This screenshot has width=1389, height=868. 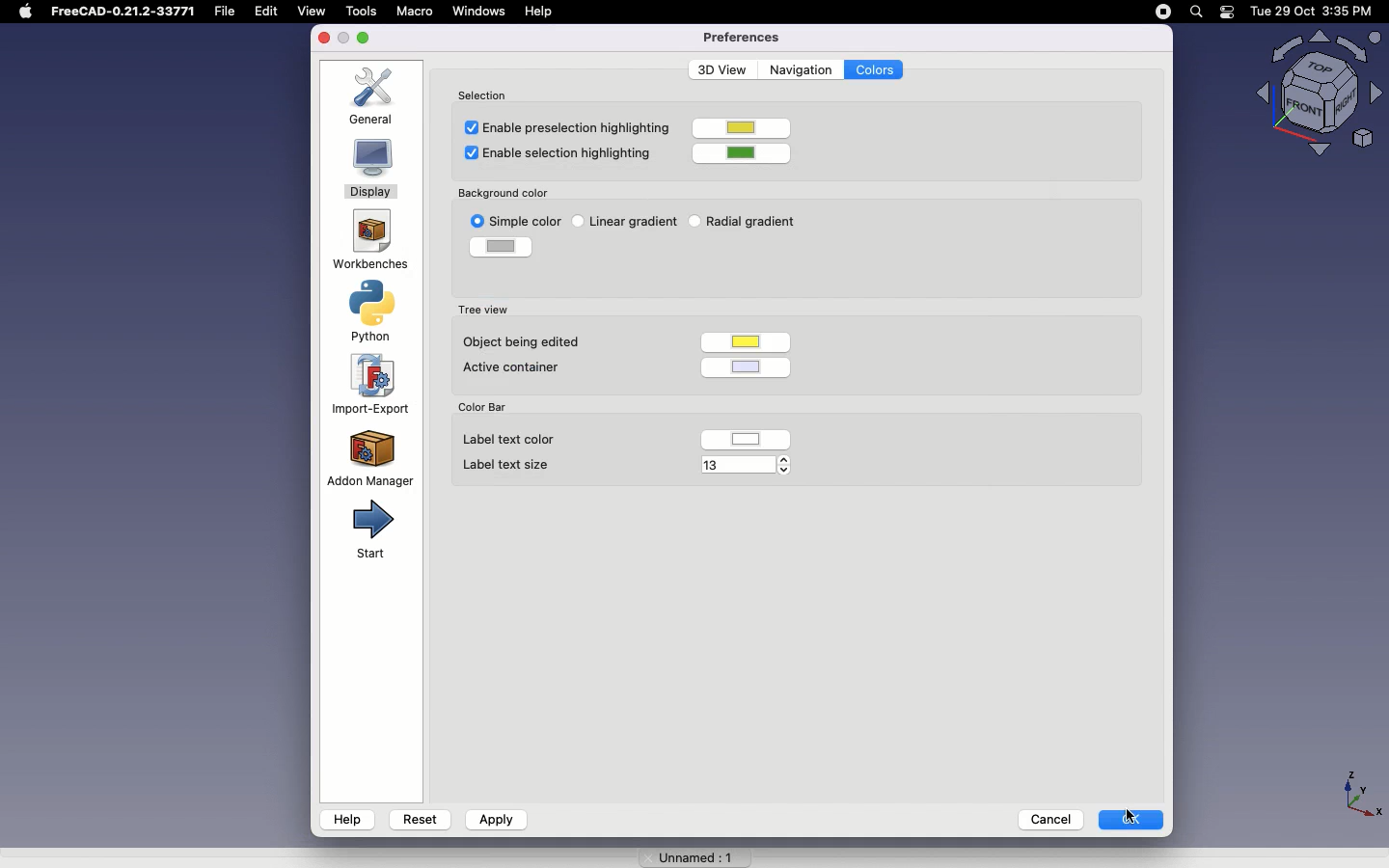 What do you see at coordinates (360, 11) in the screenshot?
I see `tools` at bounding box center [360, 11].